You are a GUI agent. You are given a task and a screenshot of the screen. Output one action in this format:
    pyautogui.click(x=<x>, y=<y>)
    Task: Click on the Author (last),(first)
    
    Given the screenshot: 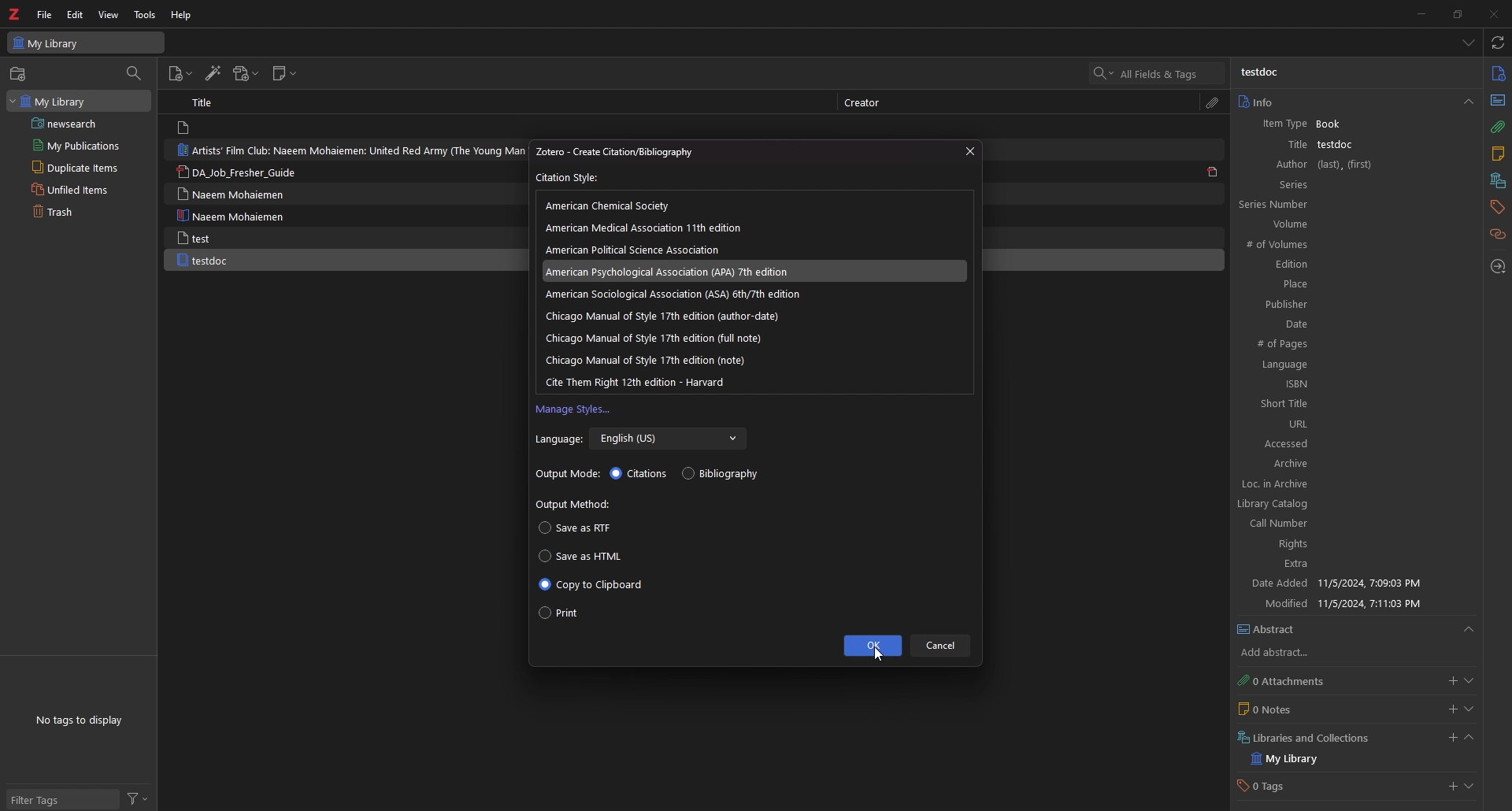 What is the action you would take?
    pyautogui.click(x=1353, y=165)
    